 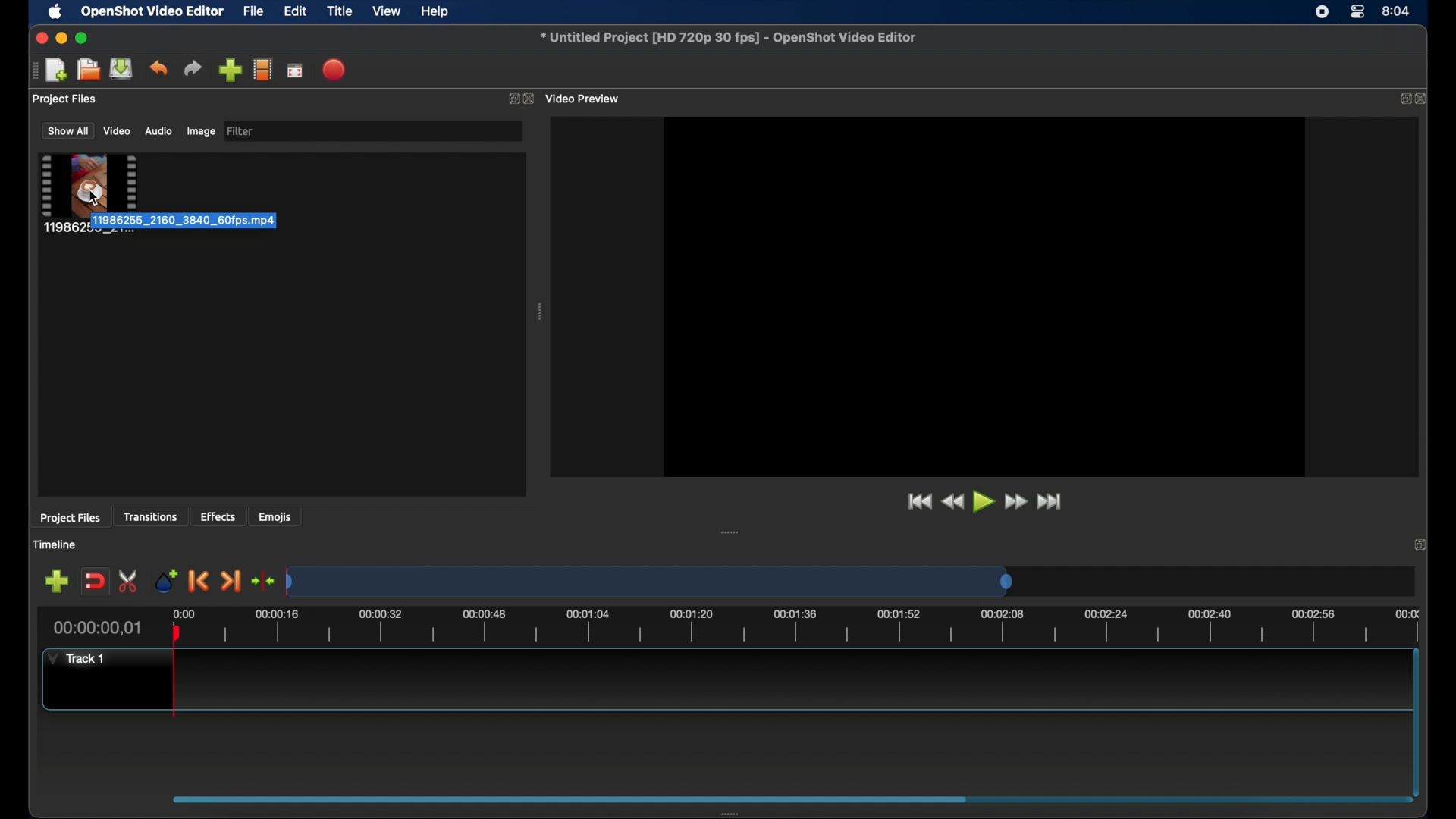 I want to click on current time indicator, so click(x=98, y=628).